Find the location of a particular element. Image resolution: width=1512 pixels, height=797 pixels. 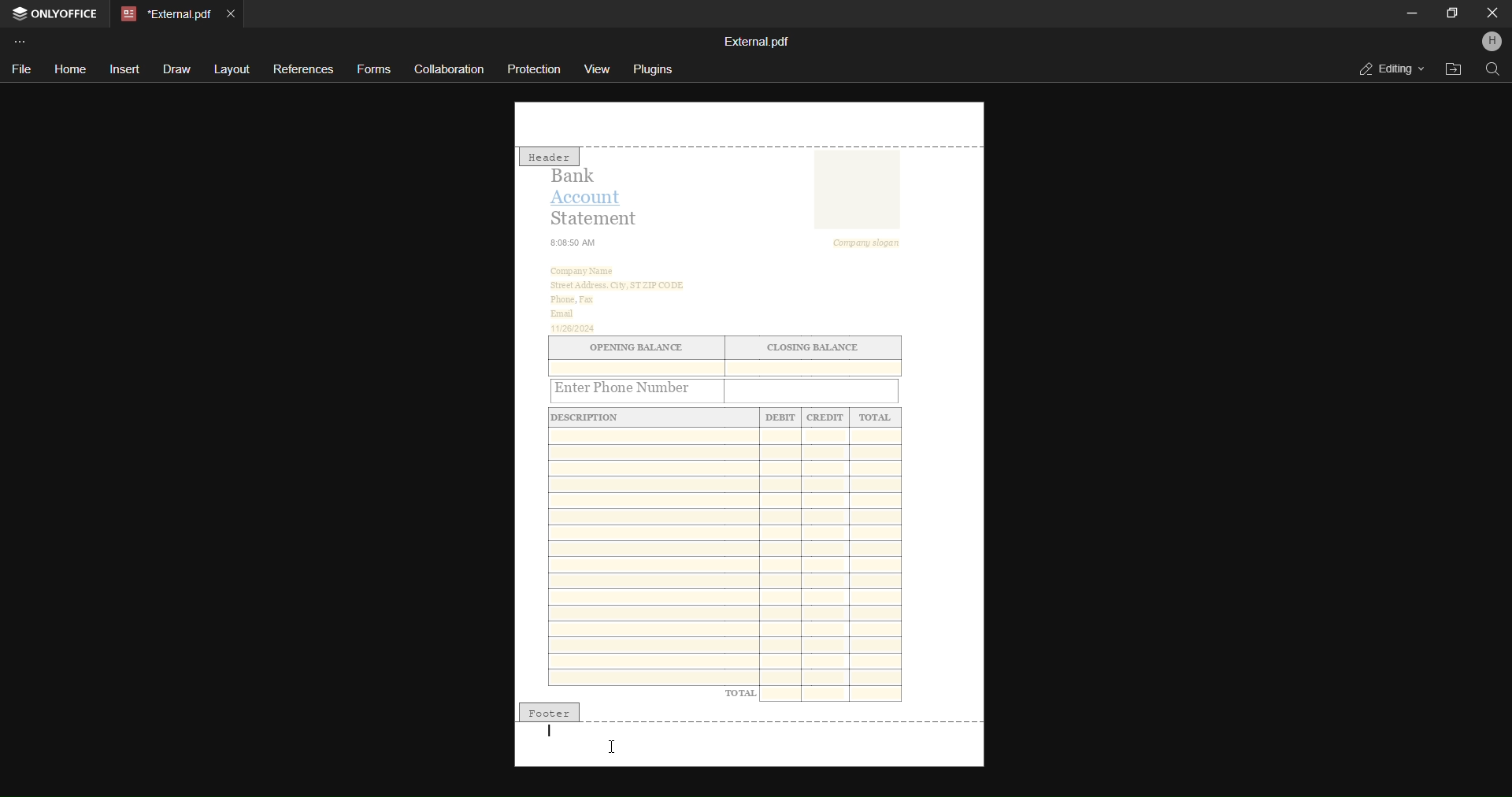

Email is located at coordinates (562, 313).